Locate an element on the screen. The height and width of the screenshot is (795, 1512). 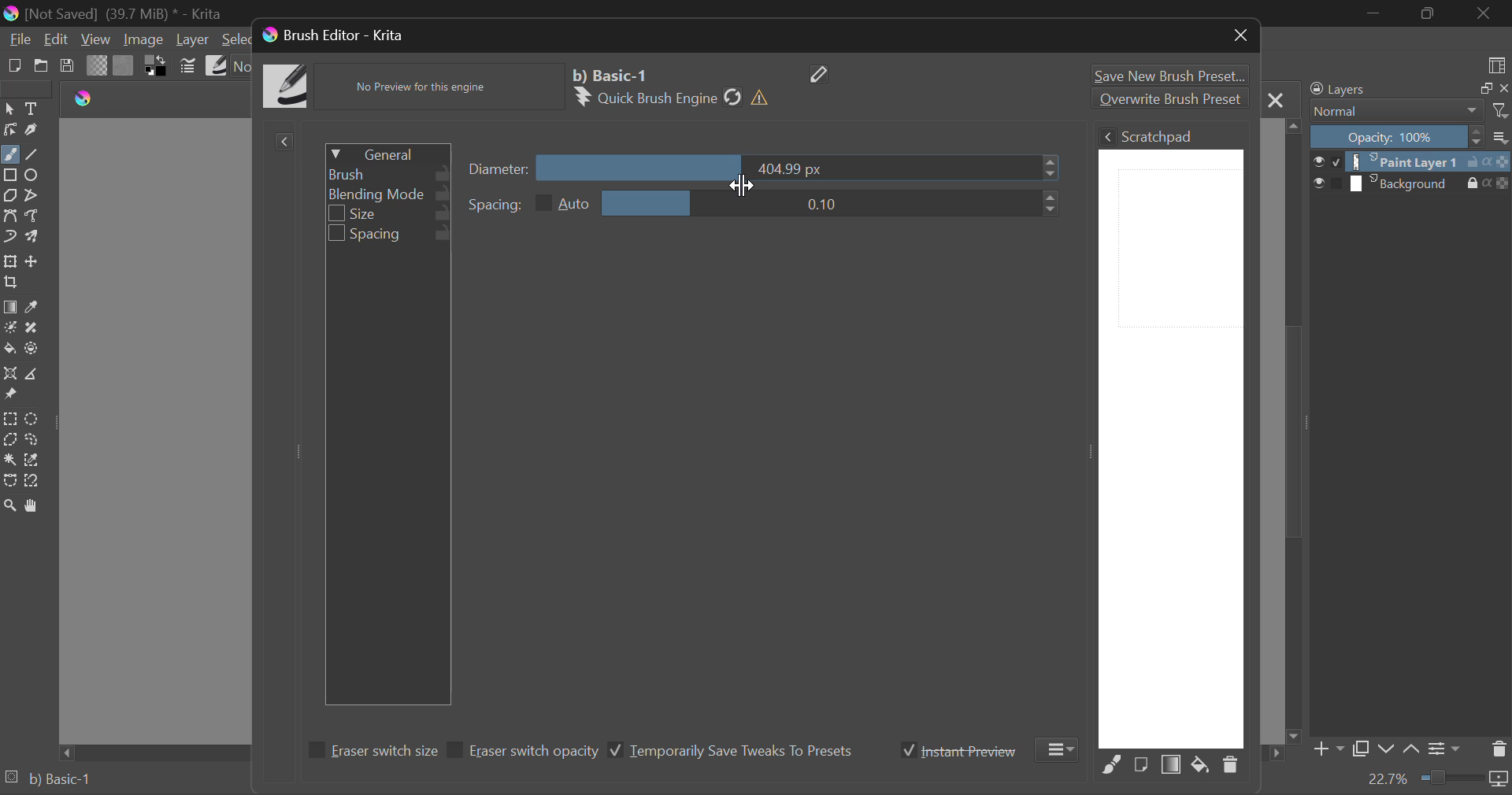
Scroll Bar is located at coordinates (1295, 430).